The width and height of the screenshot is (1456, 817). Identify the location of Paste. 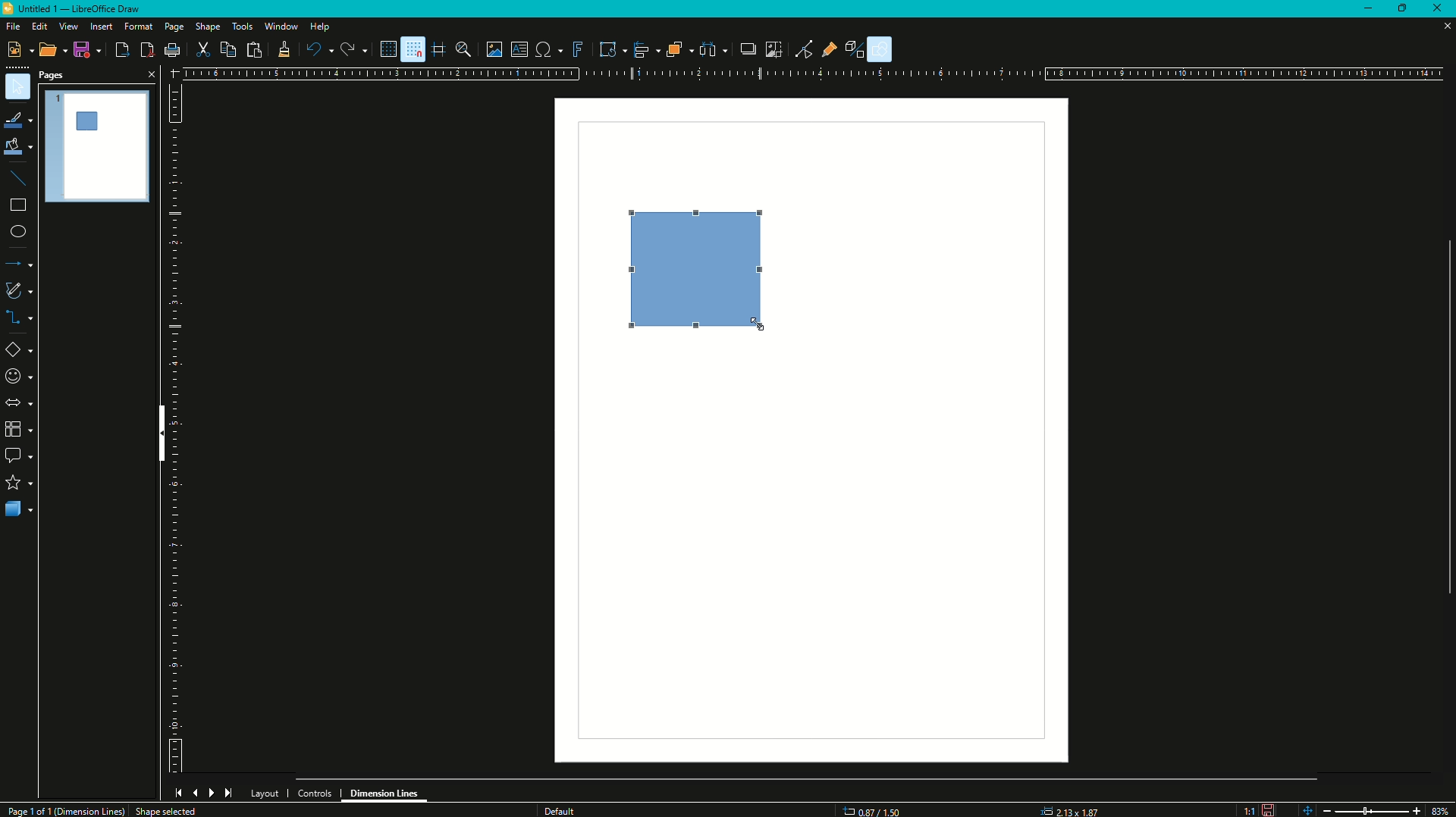
(253, 49).